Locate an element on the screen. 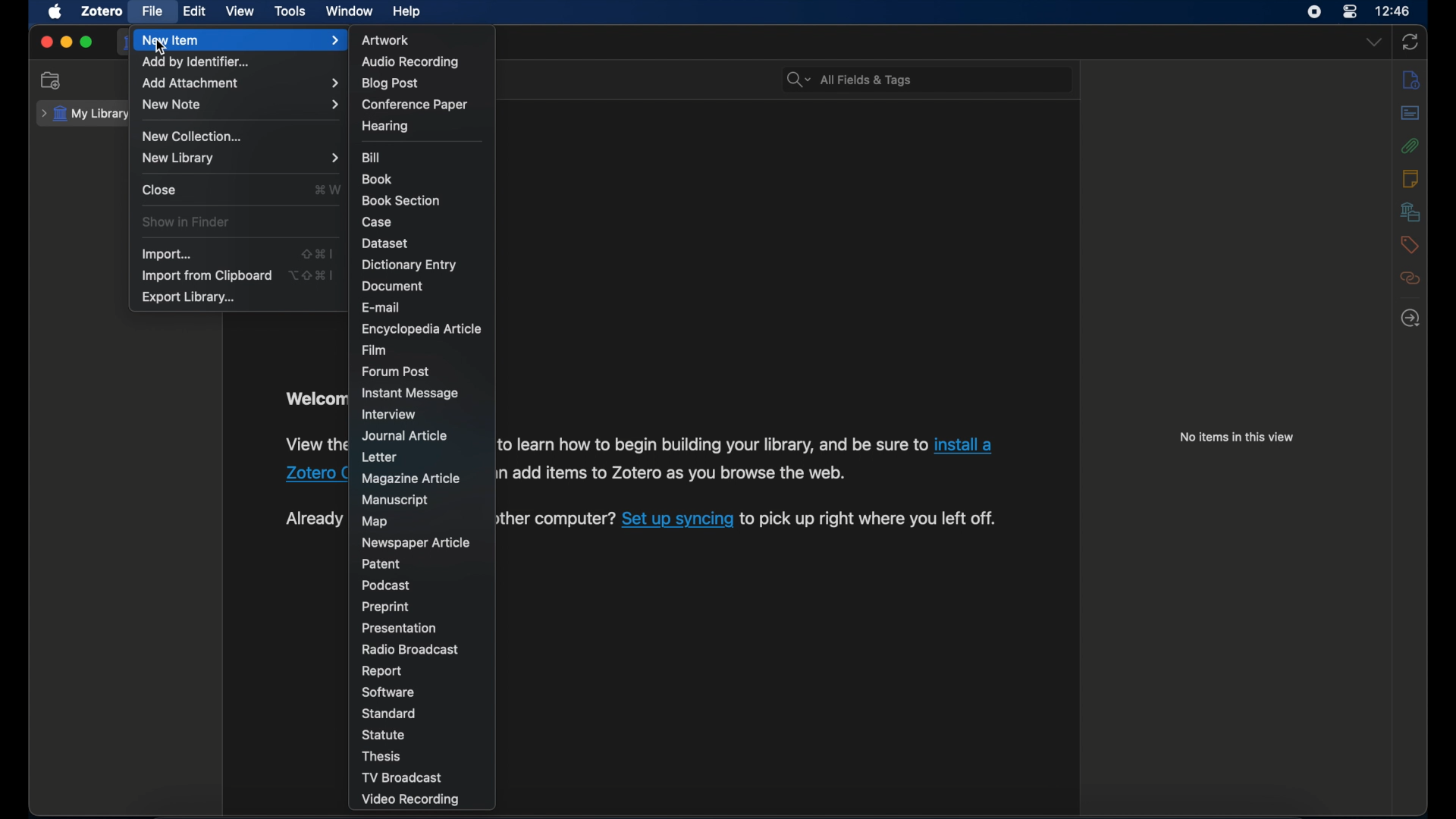 The width and height of the screenshot is (1456, 819). search bar is located at coordinates (849, 78).